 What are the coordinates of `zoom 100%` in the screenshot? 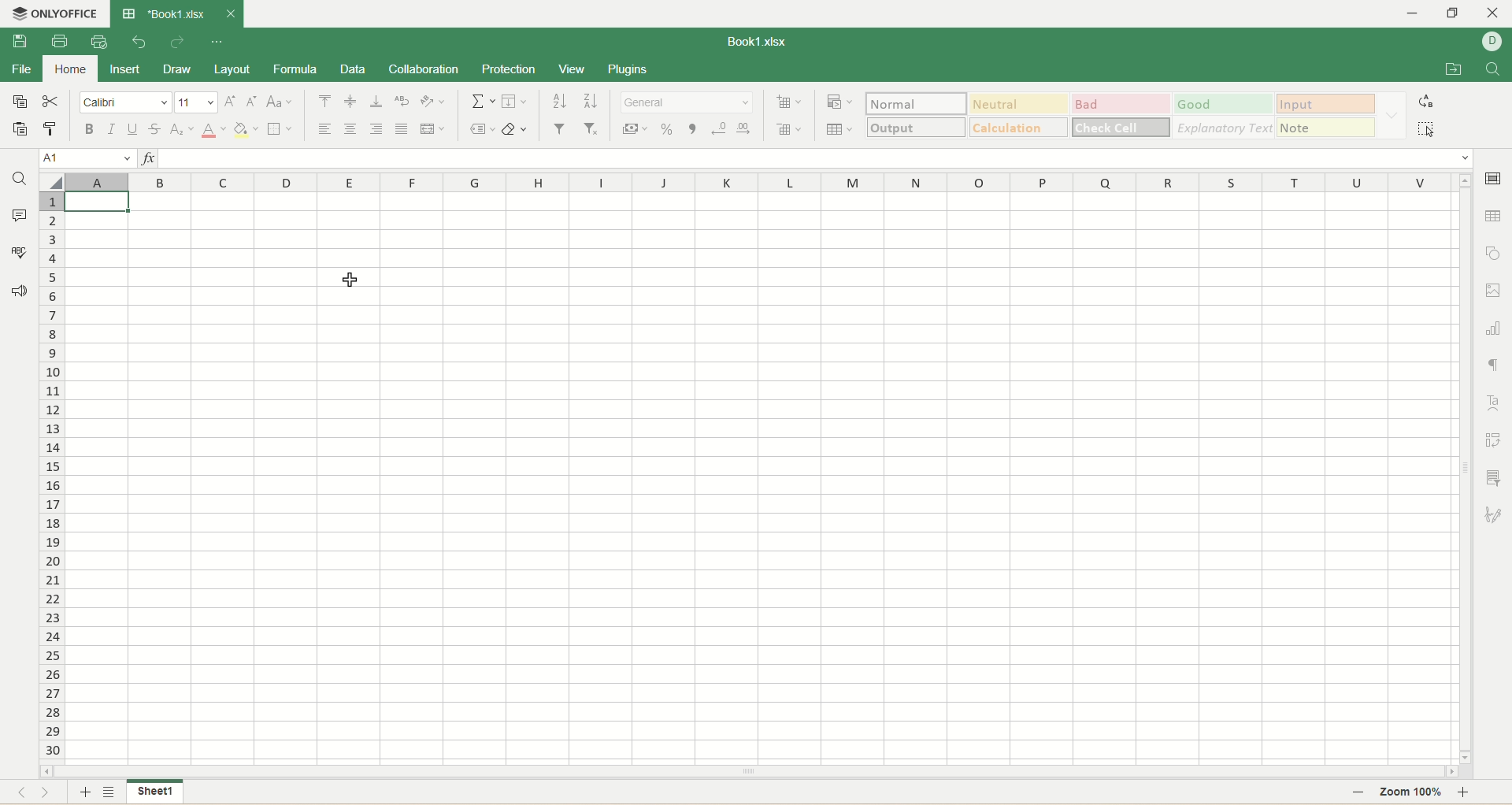 It's located at (1414, 794).